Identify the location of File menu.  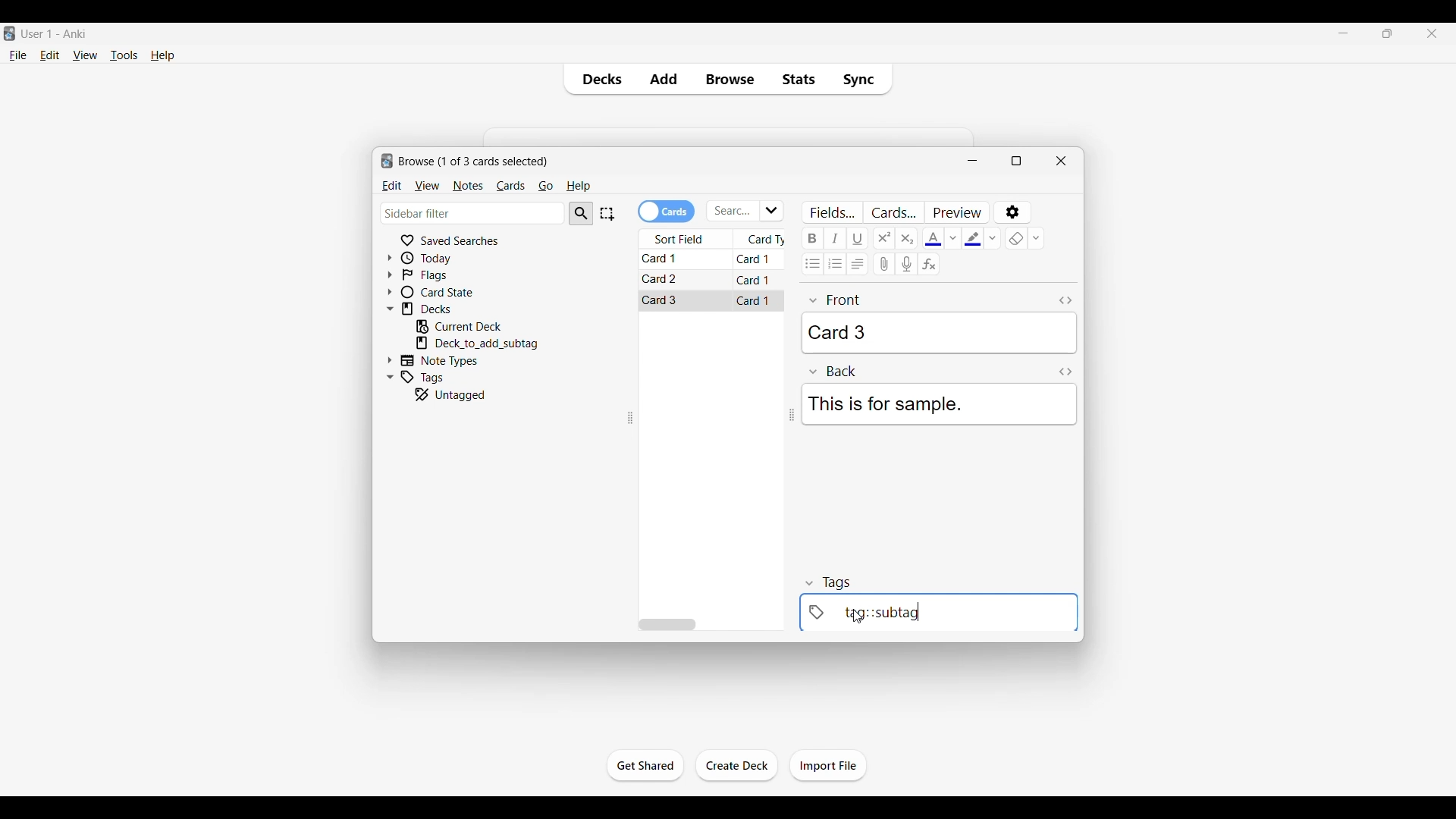
(18, 55).